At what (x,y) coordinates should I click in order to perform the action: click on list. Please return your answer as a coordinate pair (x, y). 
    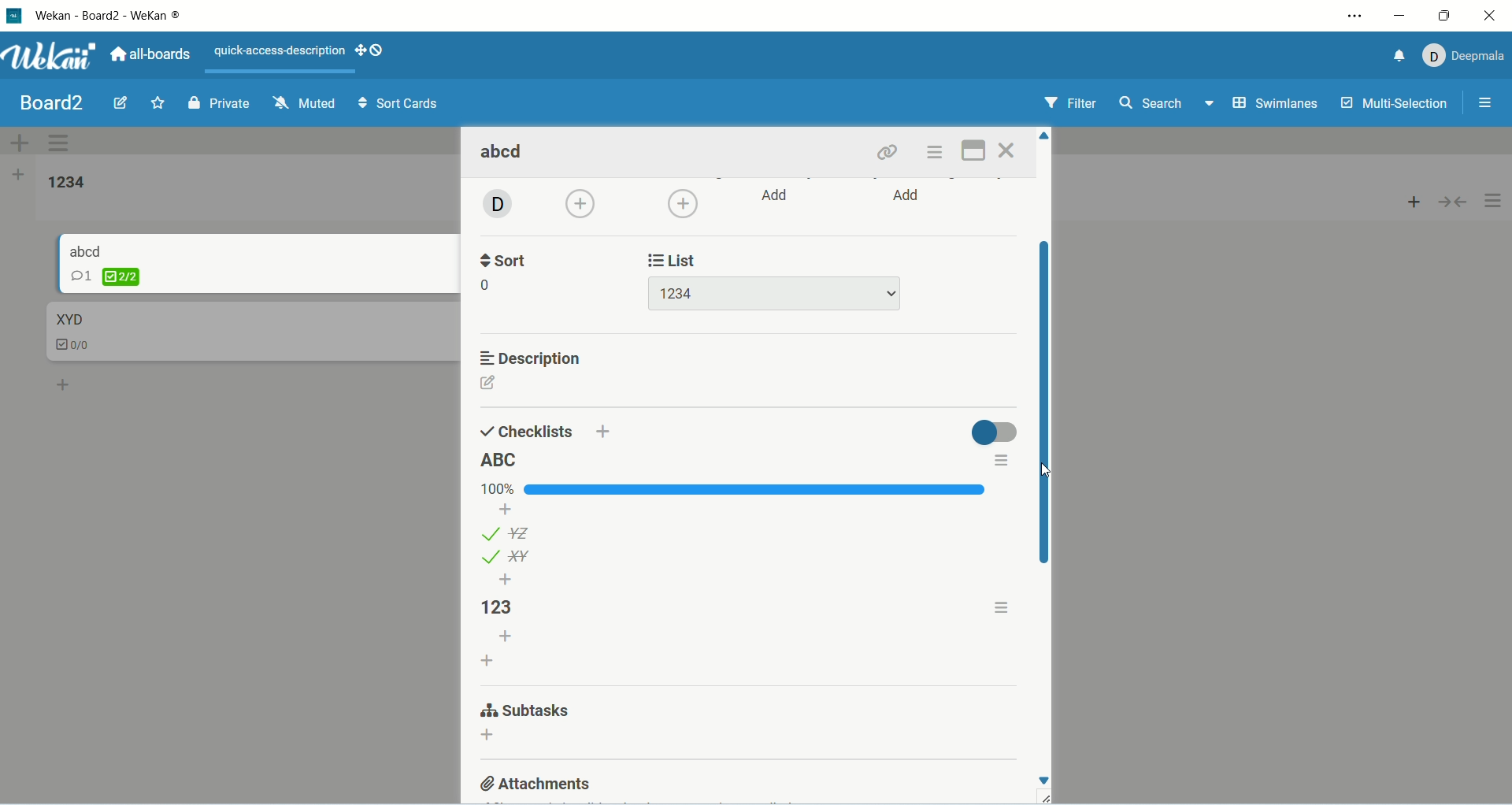
    Looking at the image, I should click on (677, 258).